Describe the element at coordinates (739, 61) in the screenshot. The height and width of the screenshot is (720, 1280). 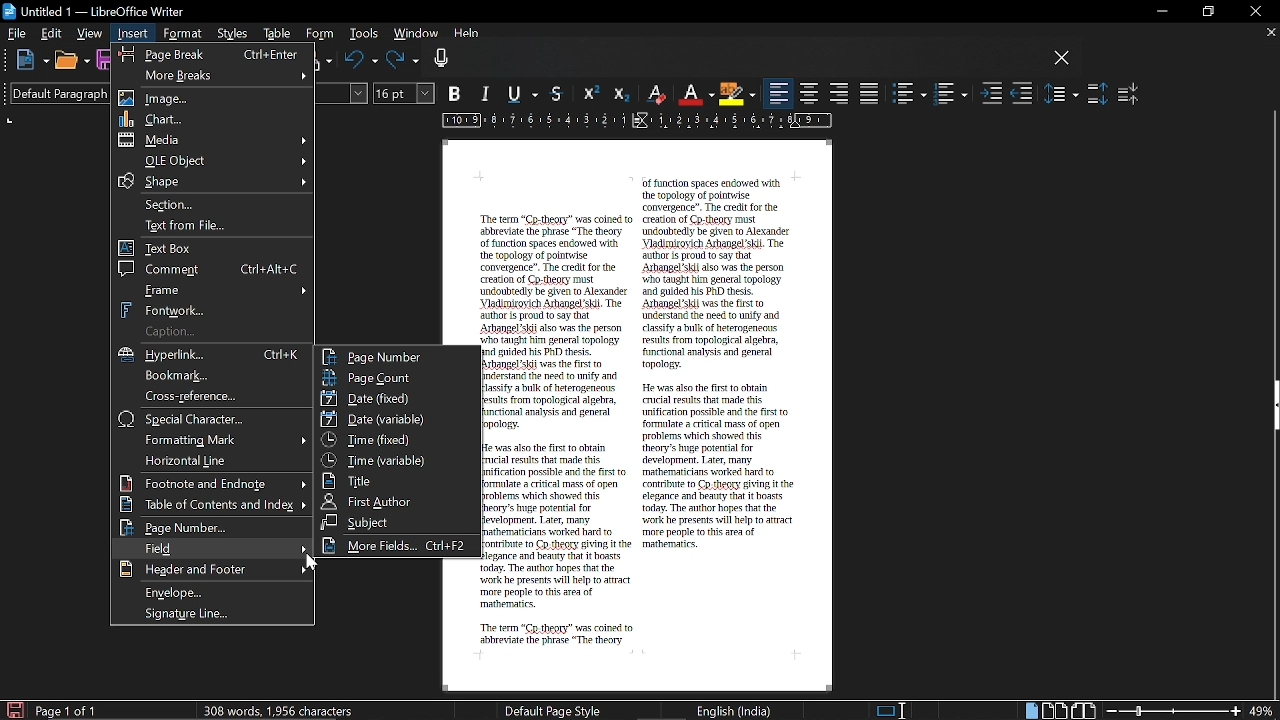
I see `VOice input` at that location.